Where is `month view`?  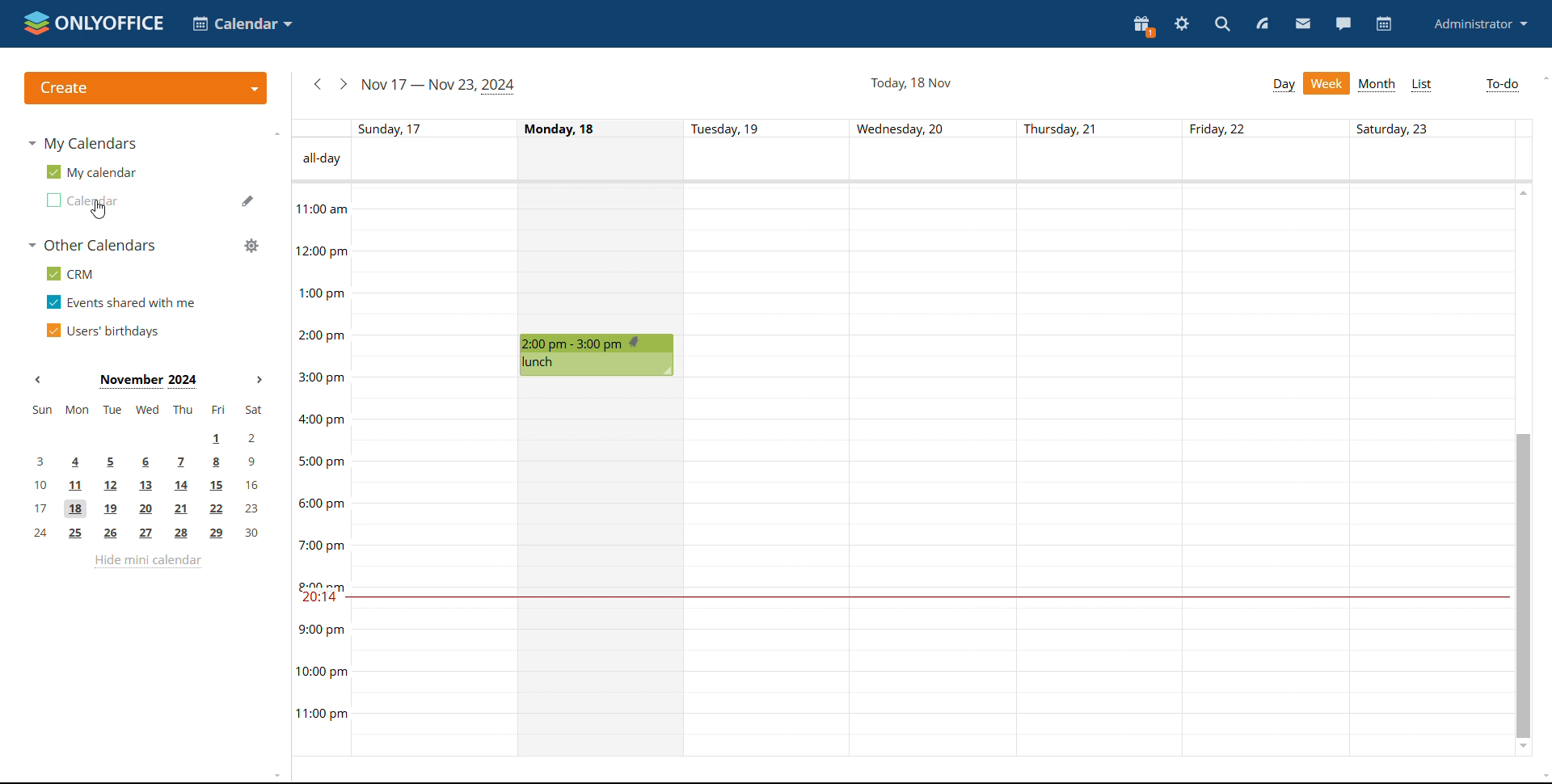 month view is located at coordinates (1378, 85).